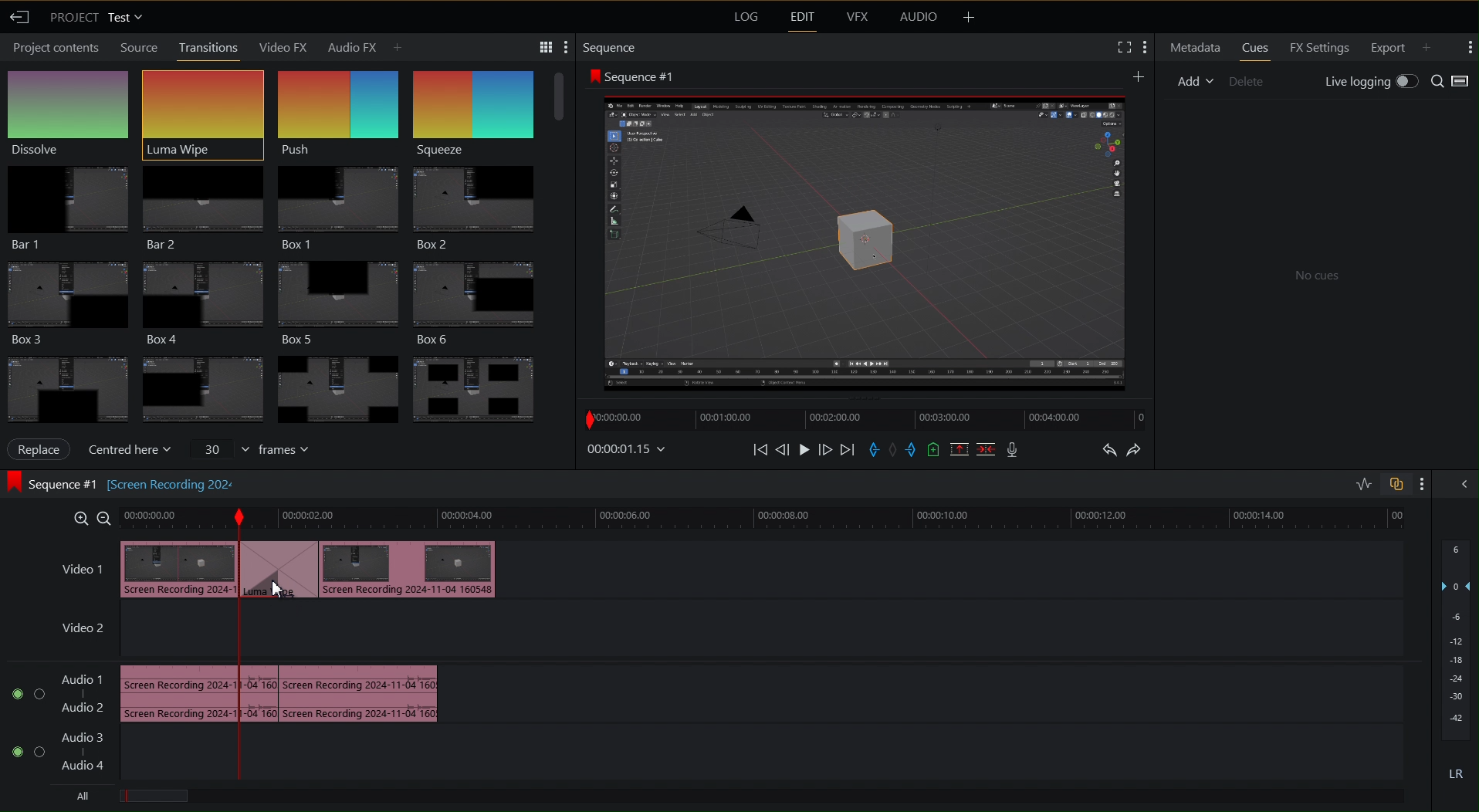  What do you see at coordinates (825, 450) in the screenshot?
I see `Move Forward` at bounding box center [825, 450].